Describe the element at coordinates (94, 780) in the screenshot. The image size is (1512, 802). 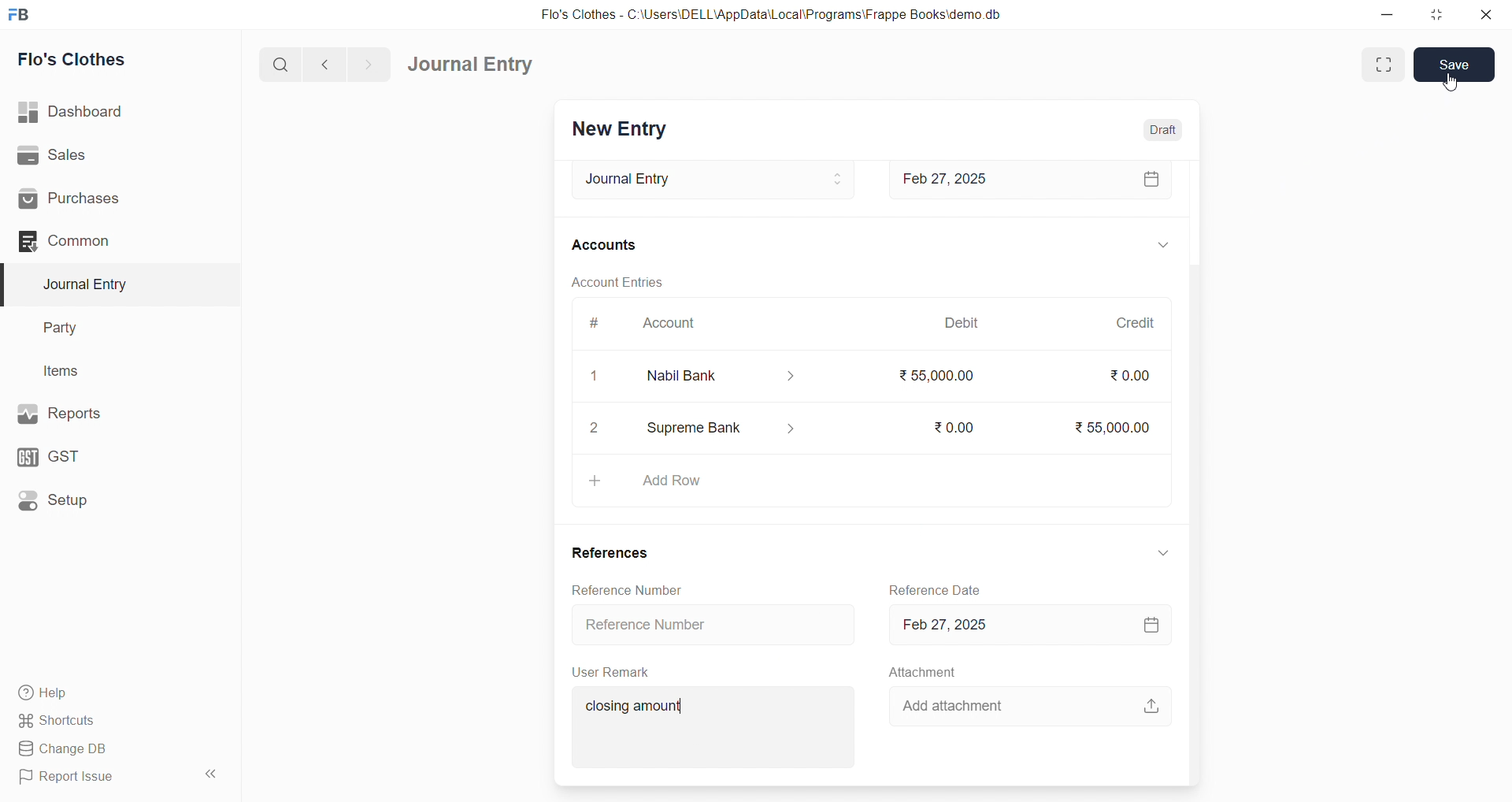
I see `Report Issue` at that location.